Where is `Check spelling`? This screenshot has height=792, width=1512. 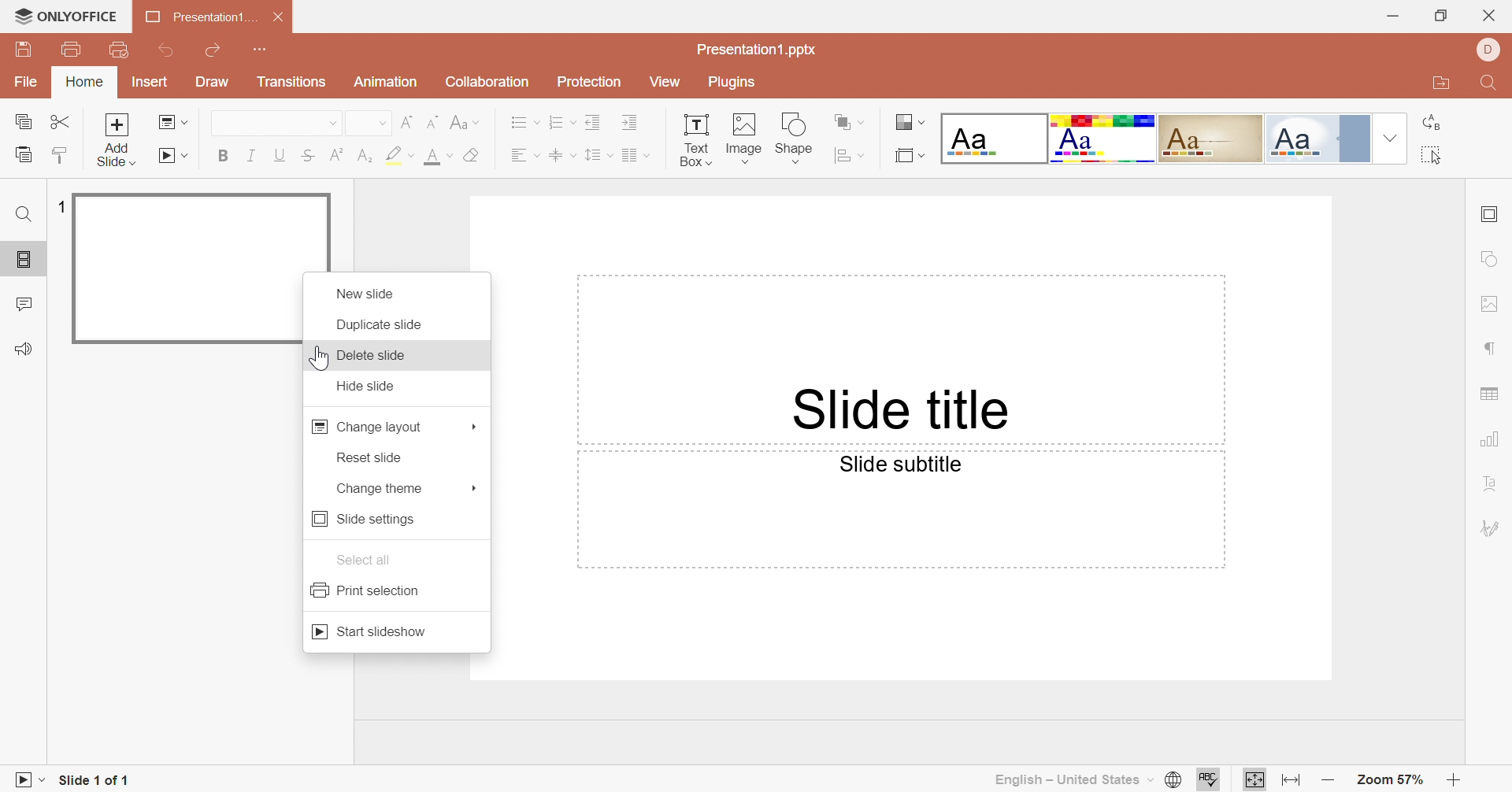 Check spelling is located at coordinates (1210, 779).